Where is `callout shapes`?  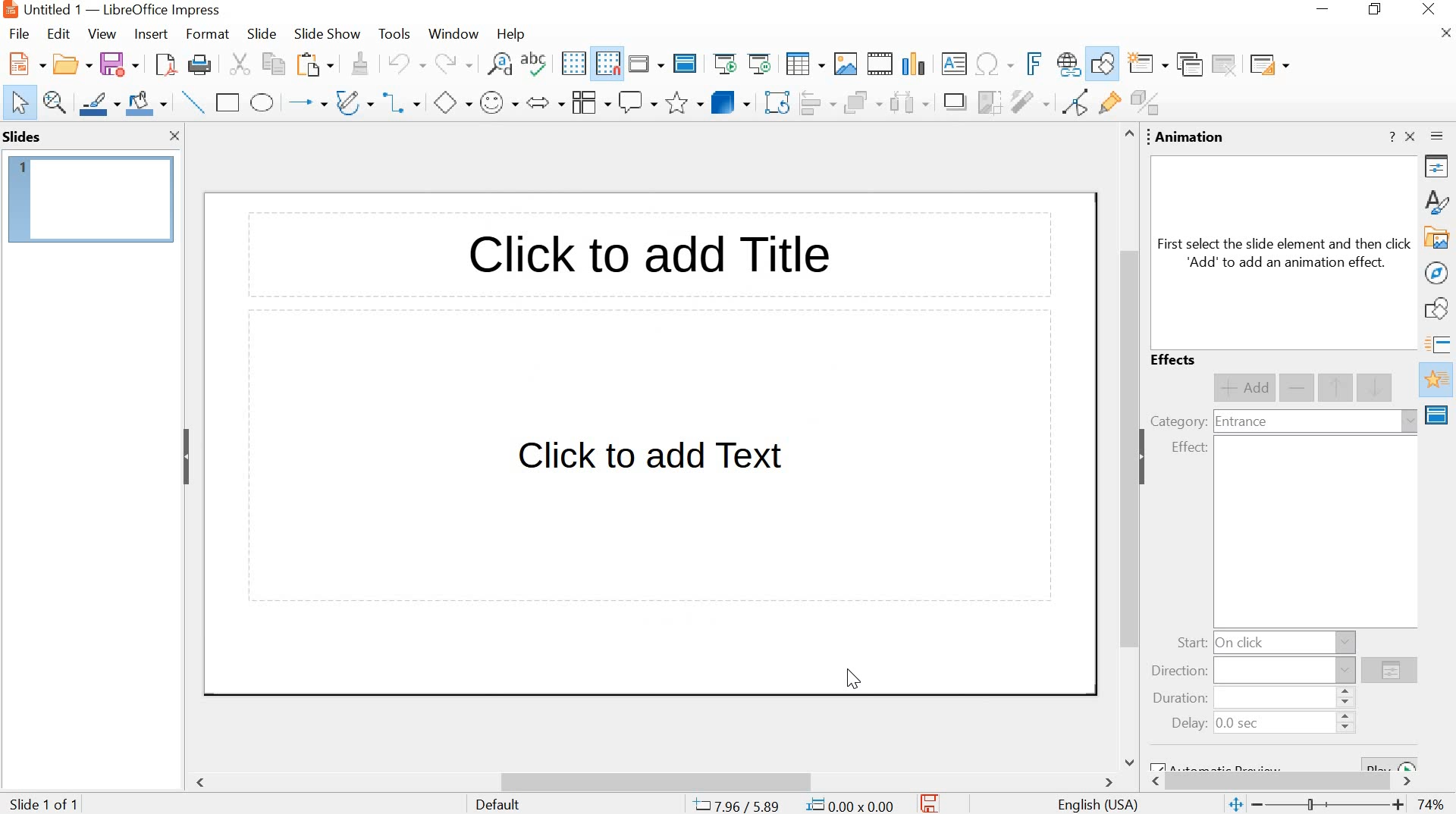
callout shapes is located at coordinates (638, 103).